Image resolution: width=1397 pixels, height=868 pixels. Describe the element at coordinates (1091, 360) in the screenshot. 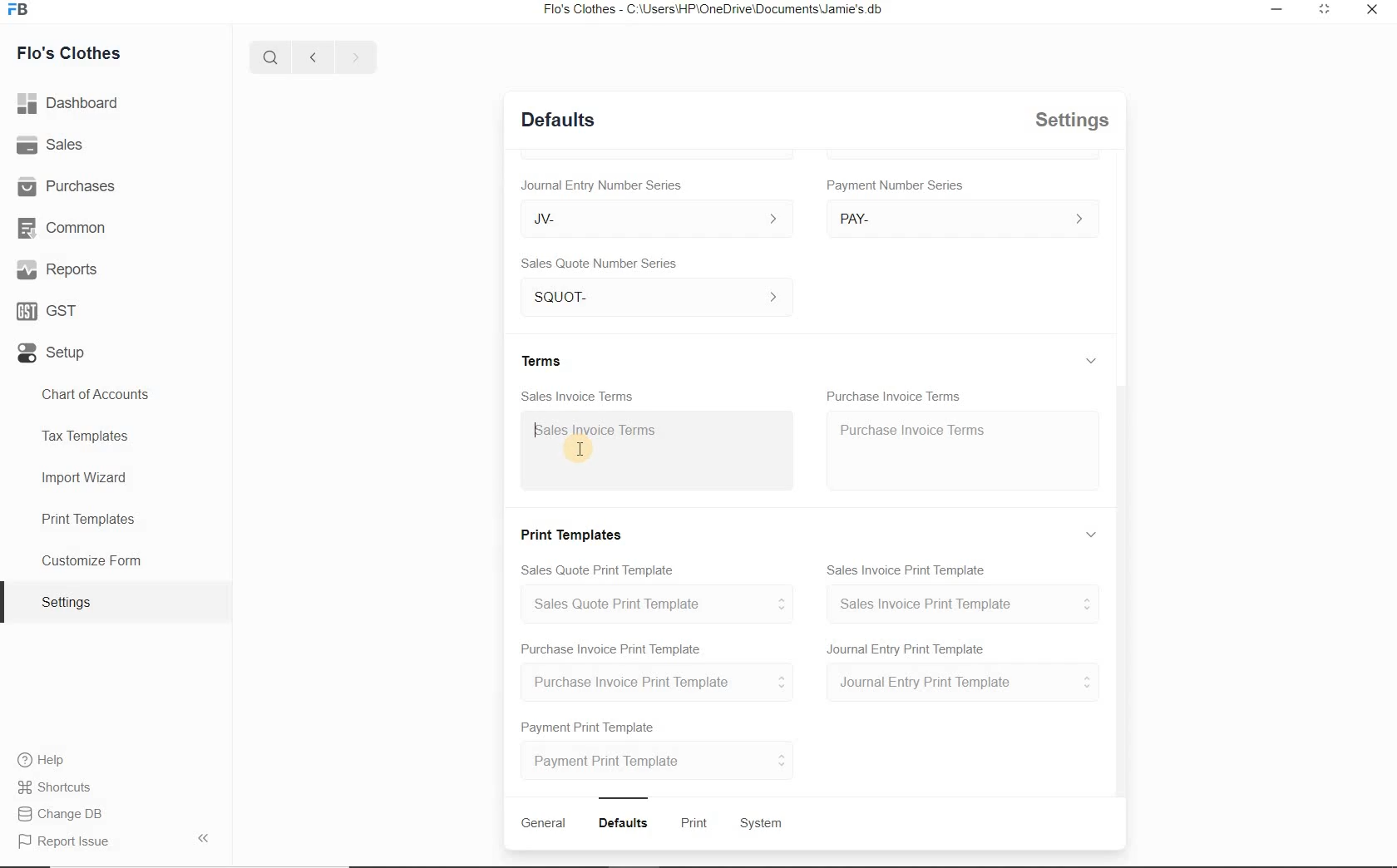

I see `Expand` at that location.